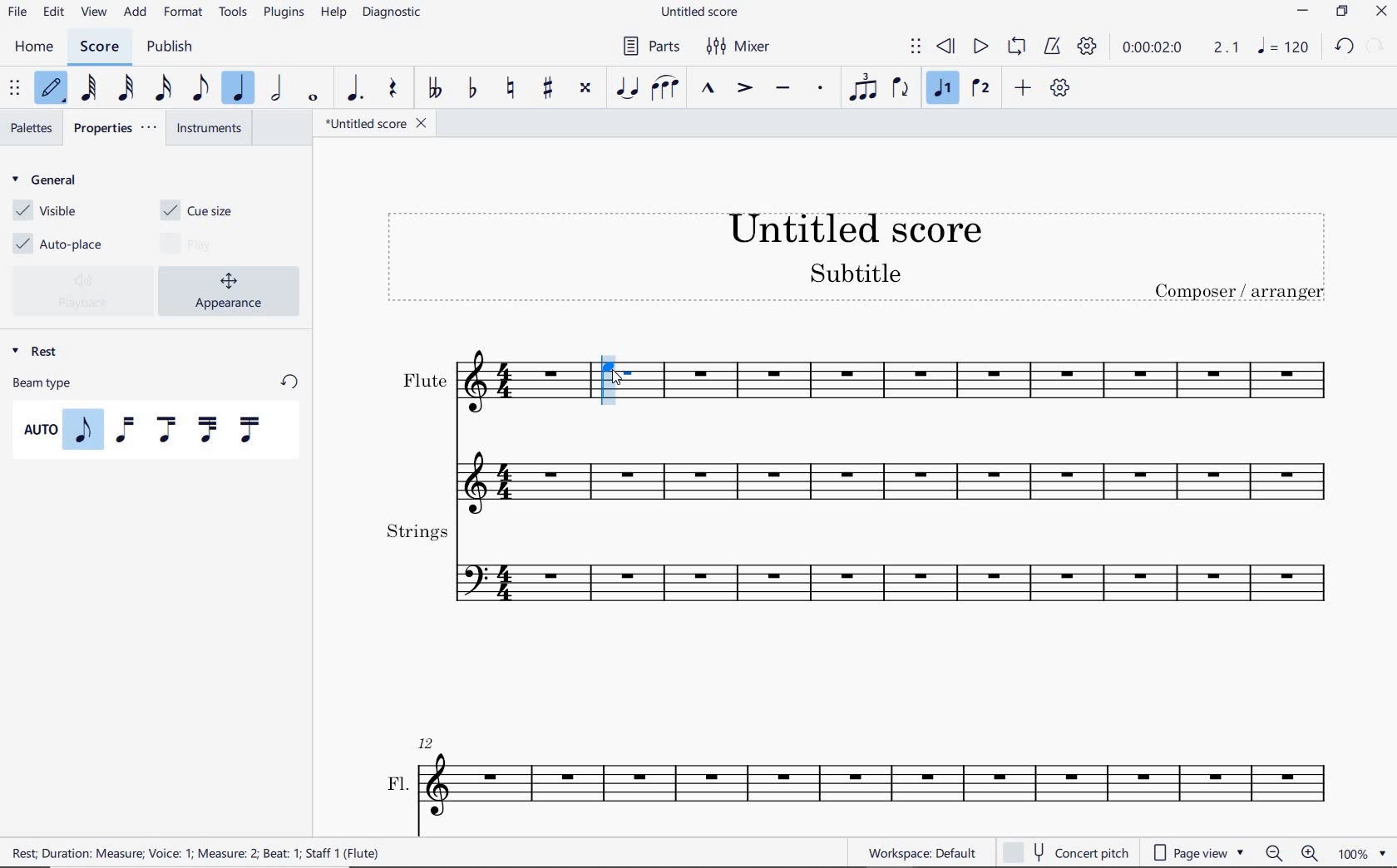 The height and width of the screenshot is (868, 1397). Describe the element at coordinates (185, 11) in the screenshot. I see `FORMAT` at that location.